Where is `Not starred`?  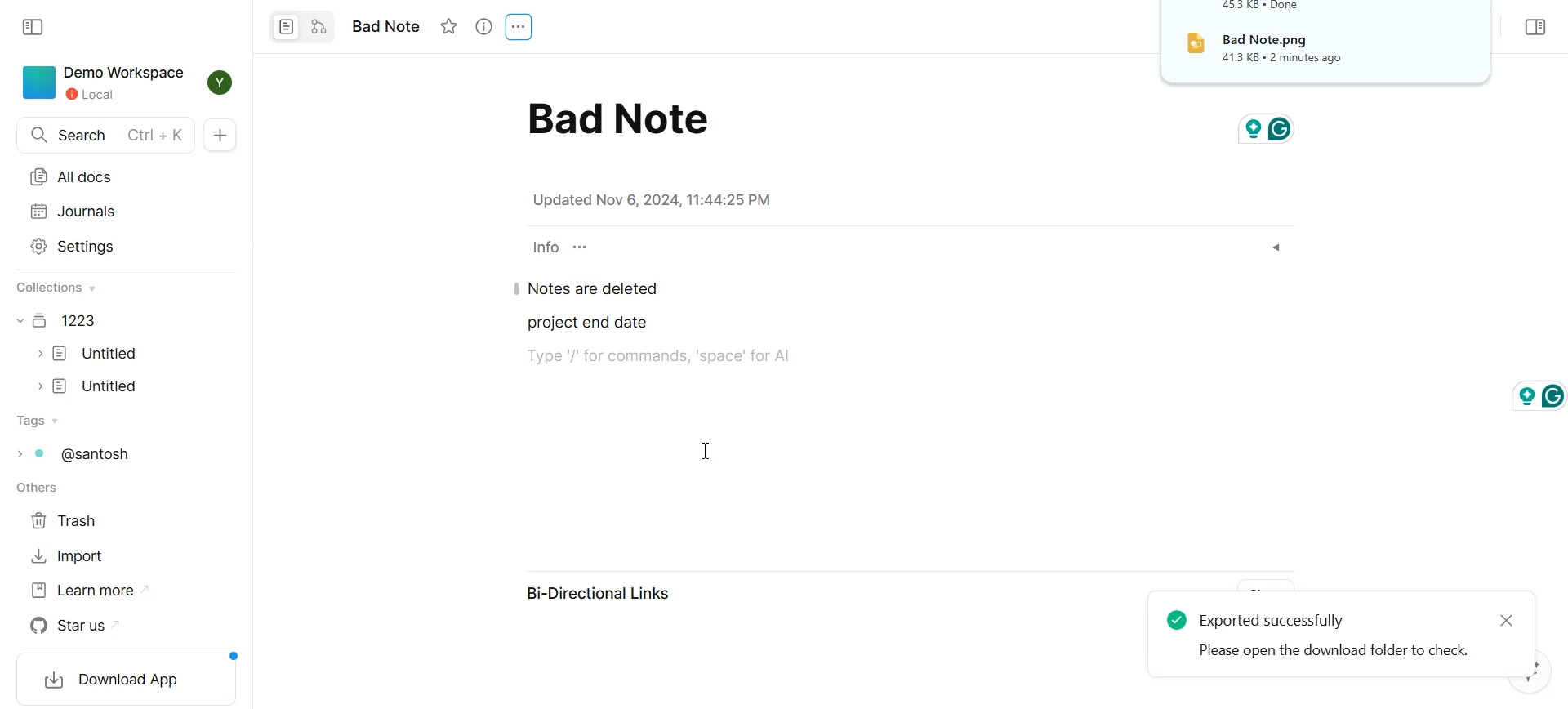
Not starred is located at coordinates (449, 26).